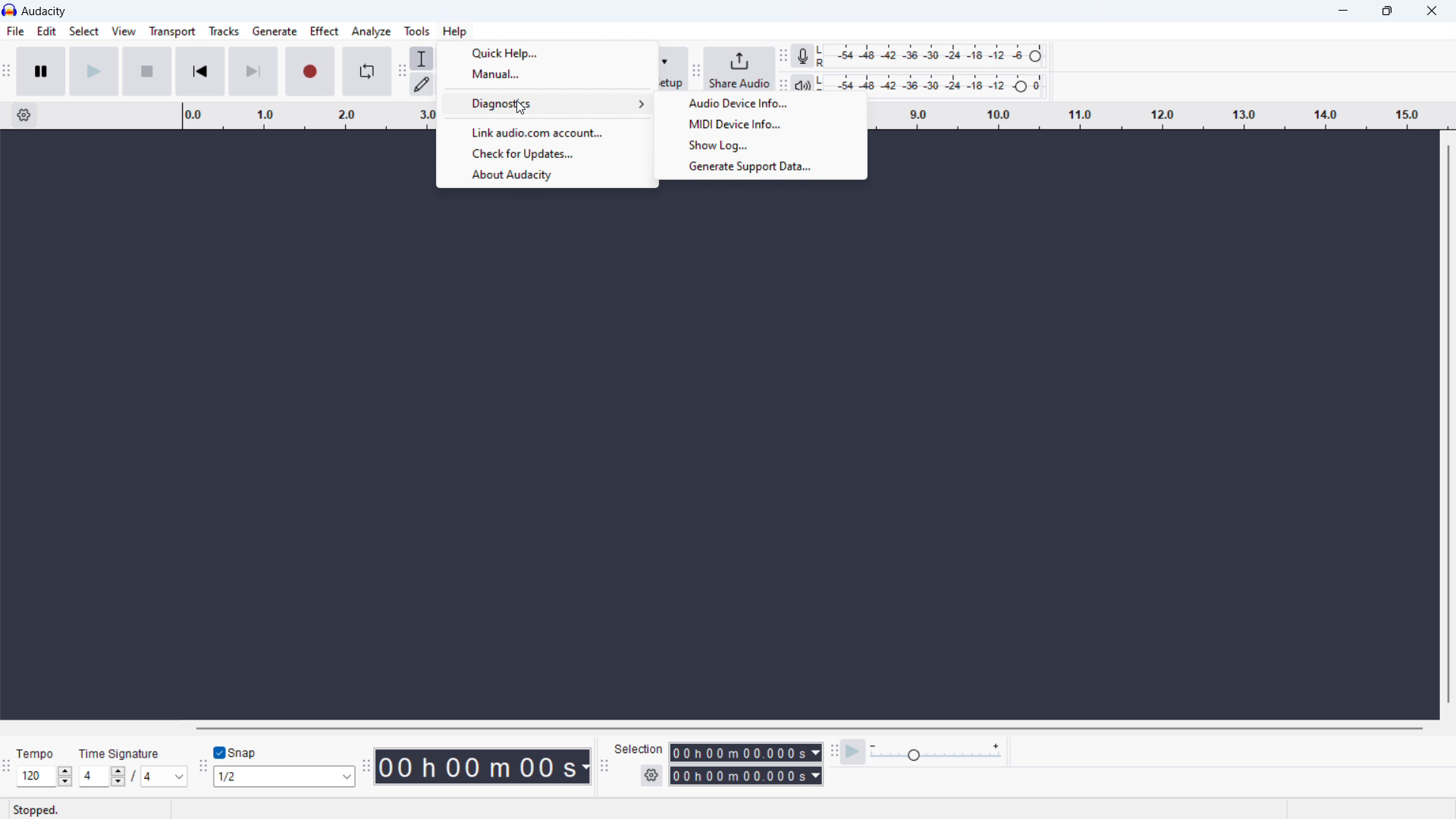 This screenshot has width=1456, height=819. I want to click on select, so click(83, 31).